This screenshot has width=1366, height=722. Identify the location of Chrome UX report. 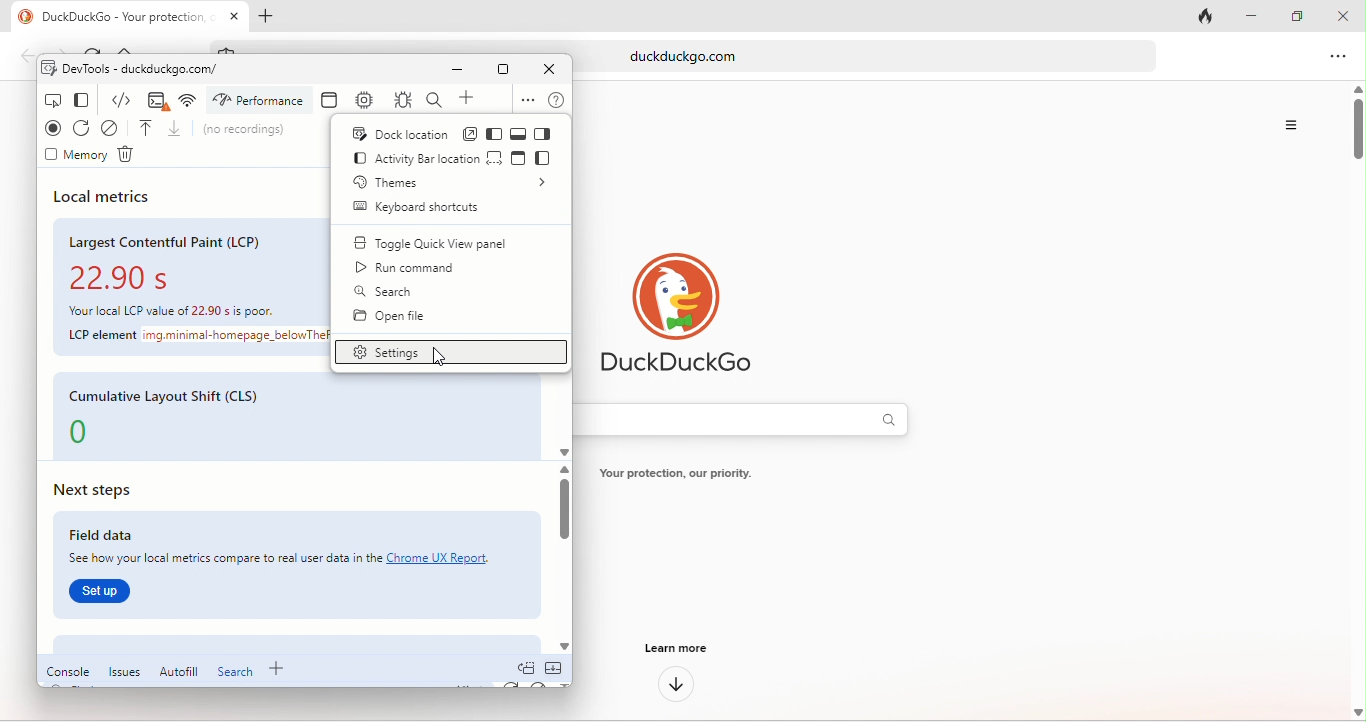
(437, 559).